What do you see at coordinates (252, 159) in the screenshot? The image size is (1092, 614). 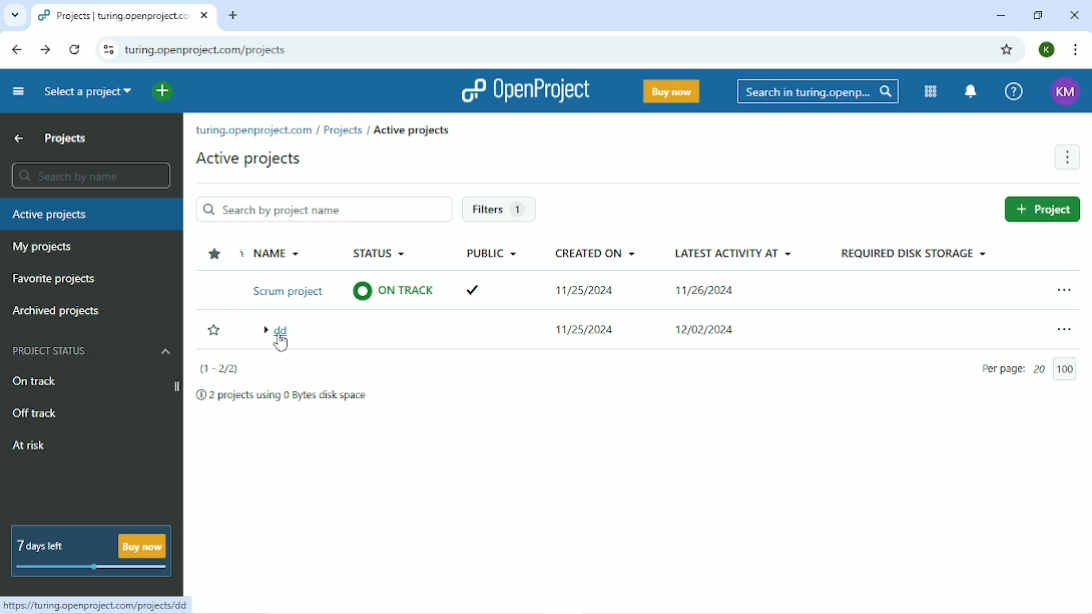 I see `Active projects` at bounding box center [252, 159].